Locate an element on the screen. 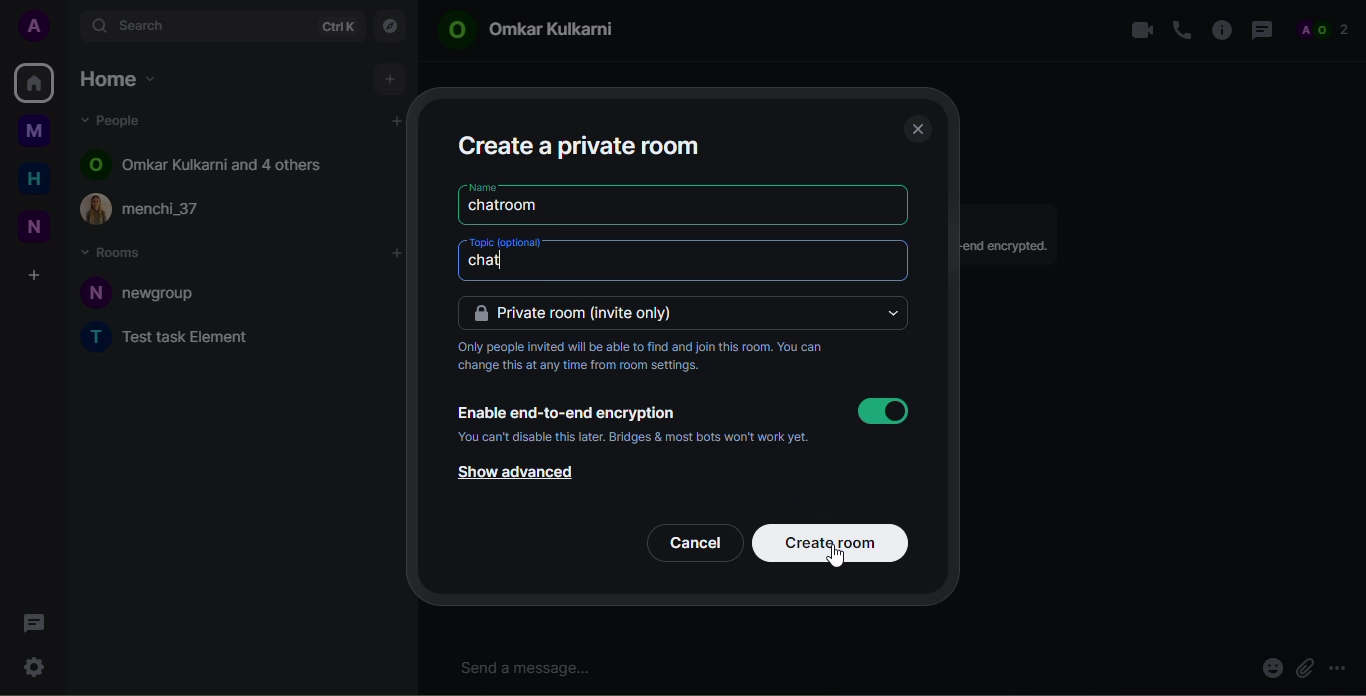 This screenshot has width=1366, height=696. home is located at coordinates (34, 81).